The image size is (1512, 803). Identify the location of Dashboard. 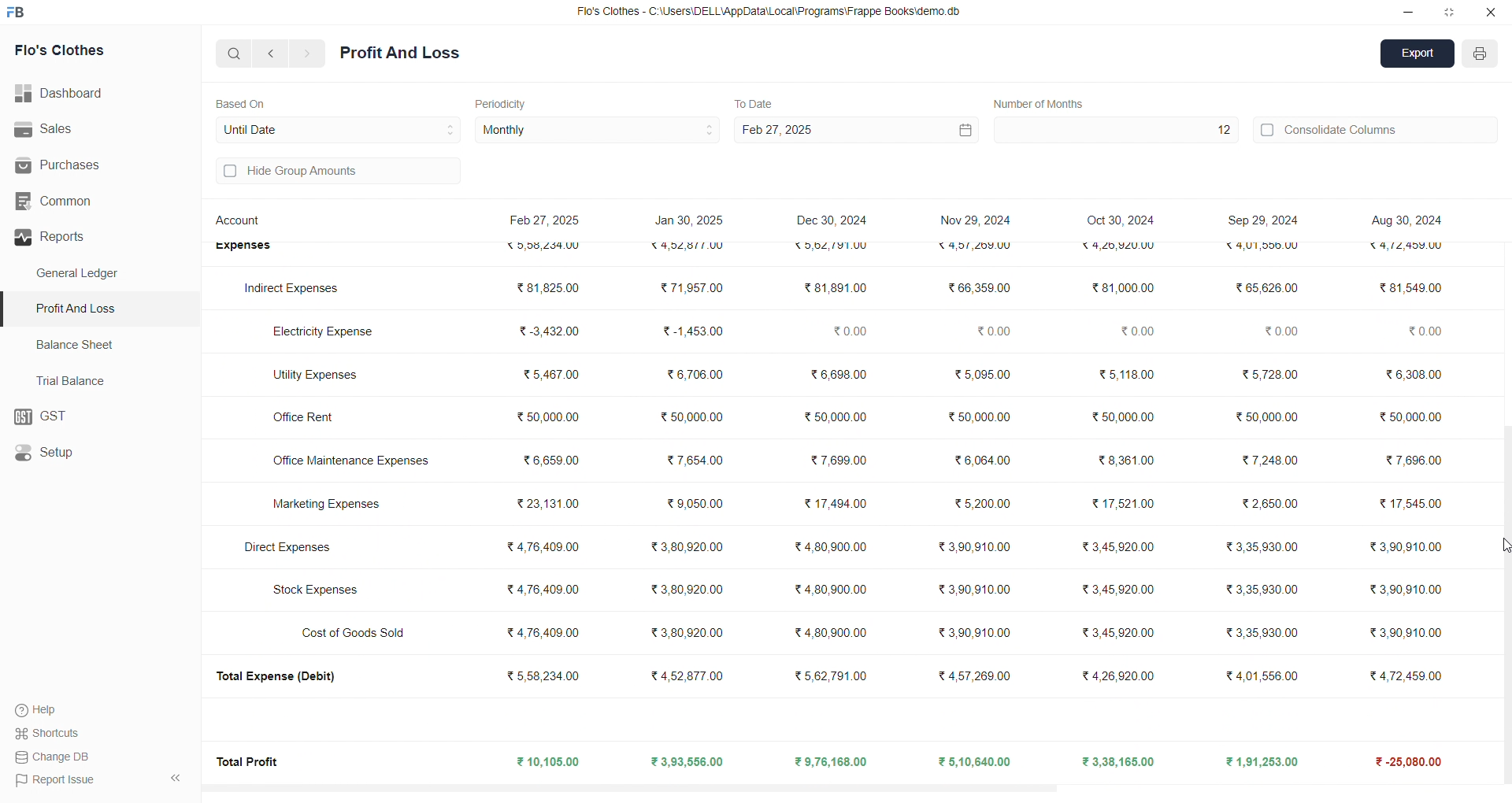
(67, 94).